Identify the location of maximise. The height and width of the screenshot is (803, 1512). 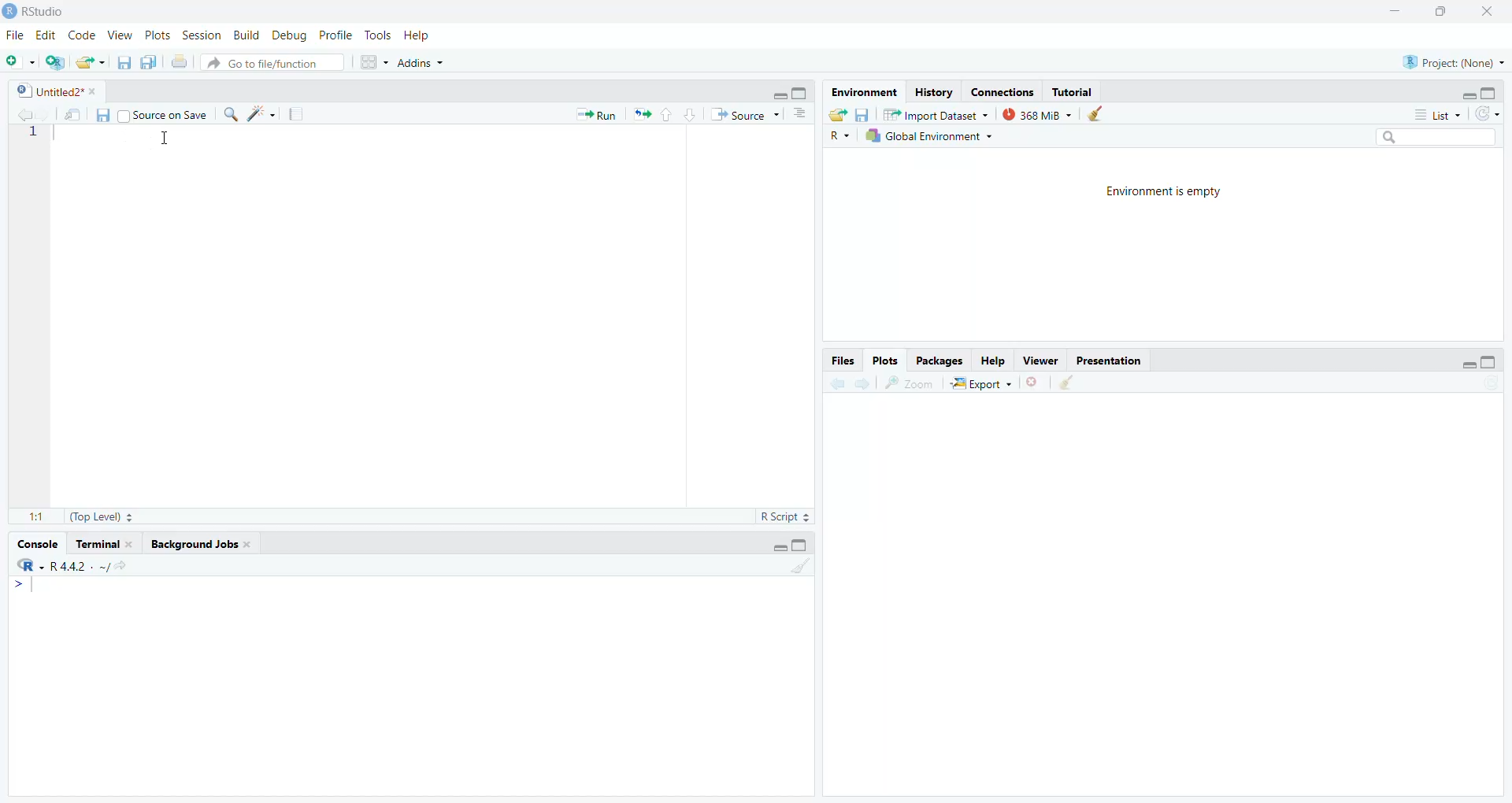
(1495, 91).